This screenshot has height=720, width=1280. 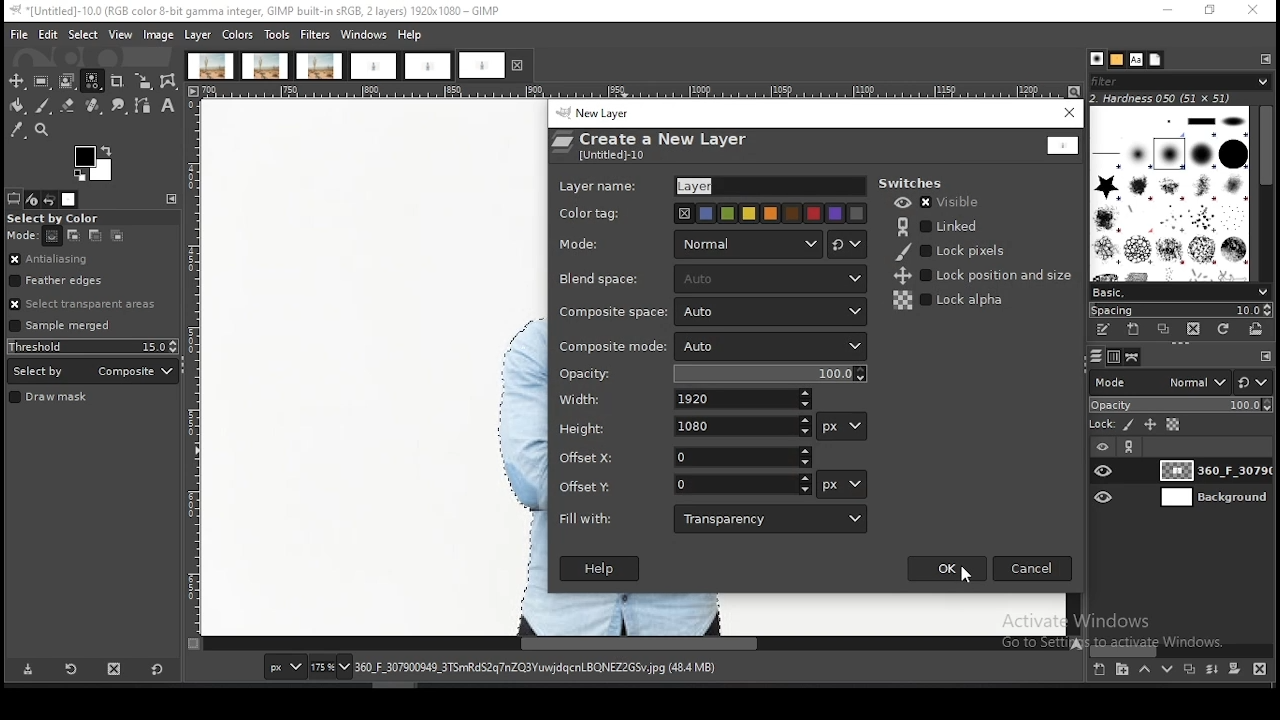 I want to click on putu, so click(x=391, y=354).